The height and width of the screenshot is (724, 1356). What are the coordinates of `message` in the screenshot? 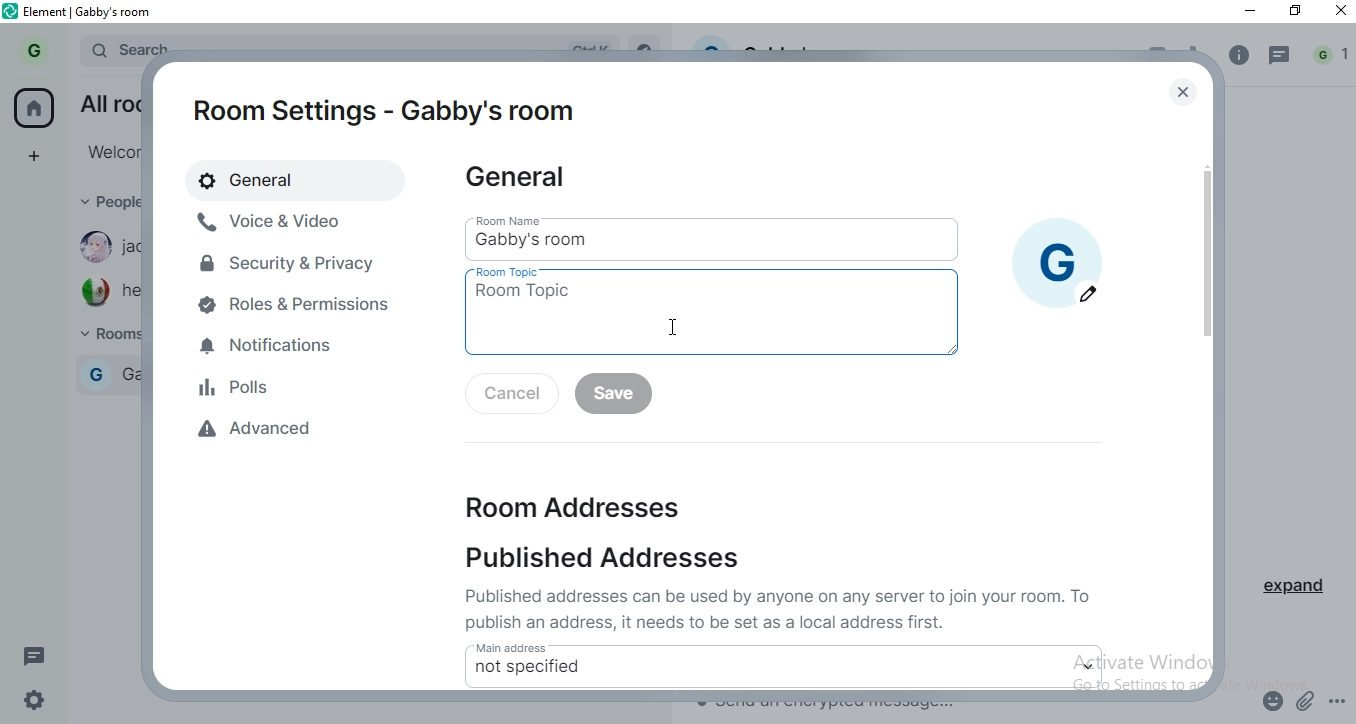 It's located at (1282, 57).